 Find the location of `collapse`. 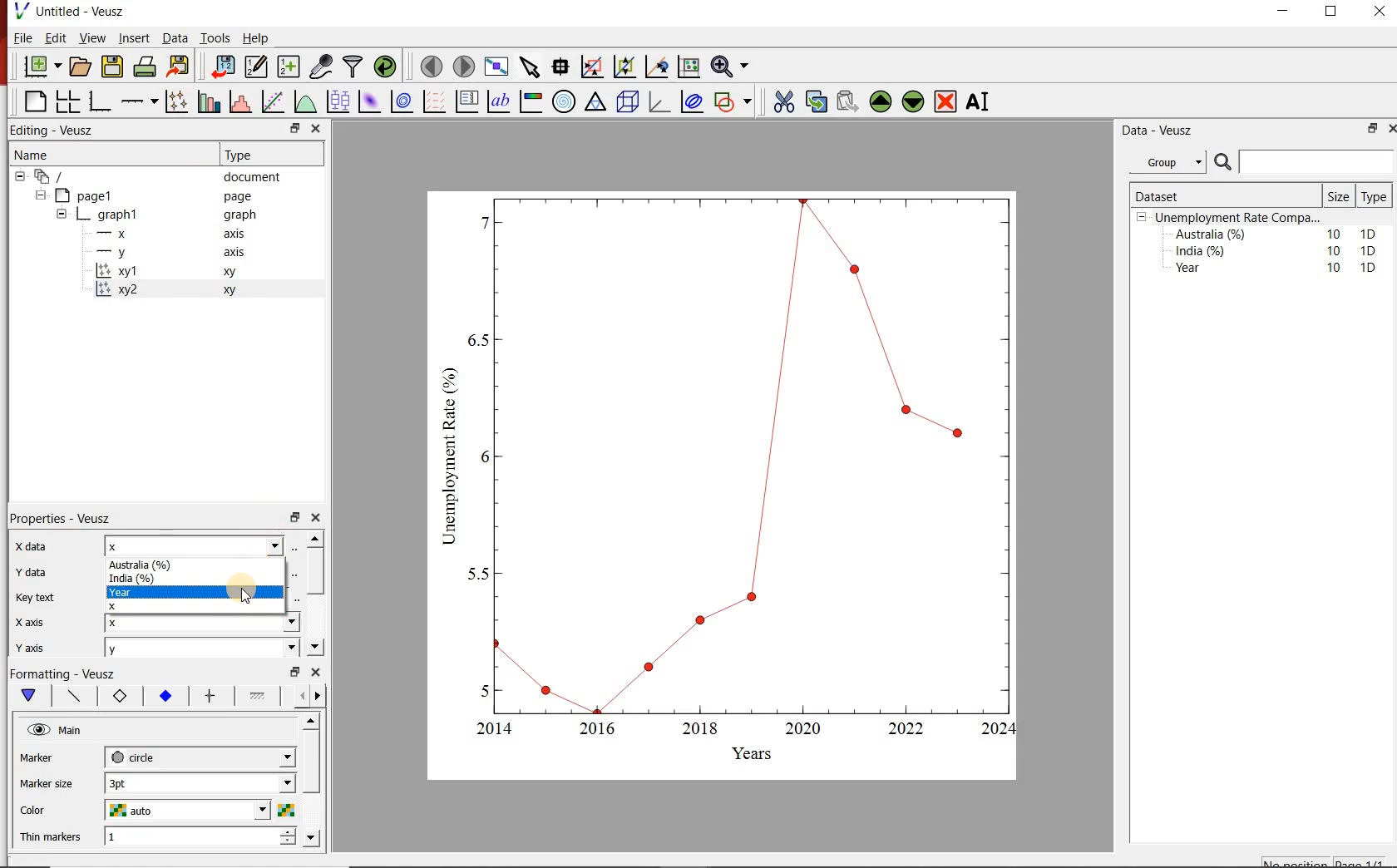

collapse is located at coordinates (19, 176).